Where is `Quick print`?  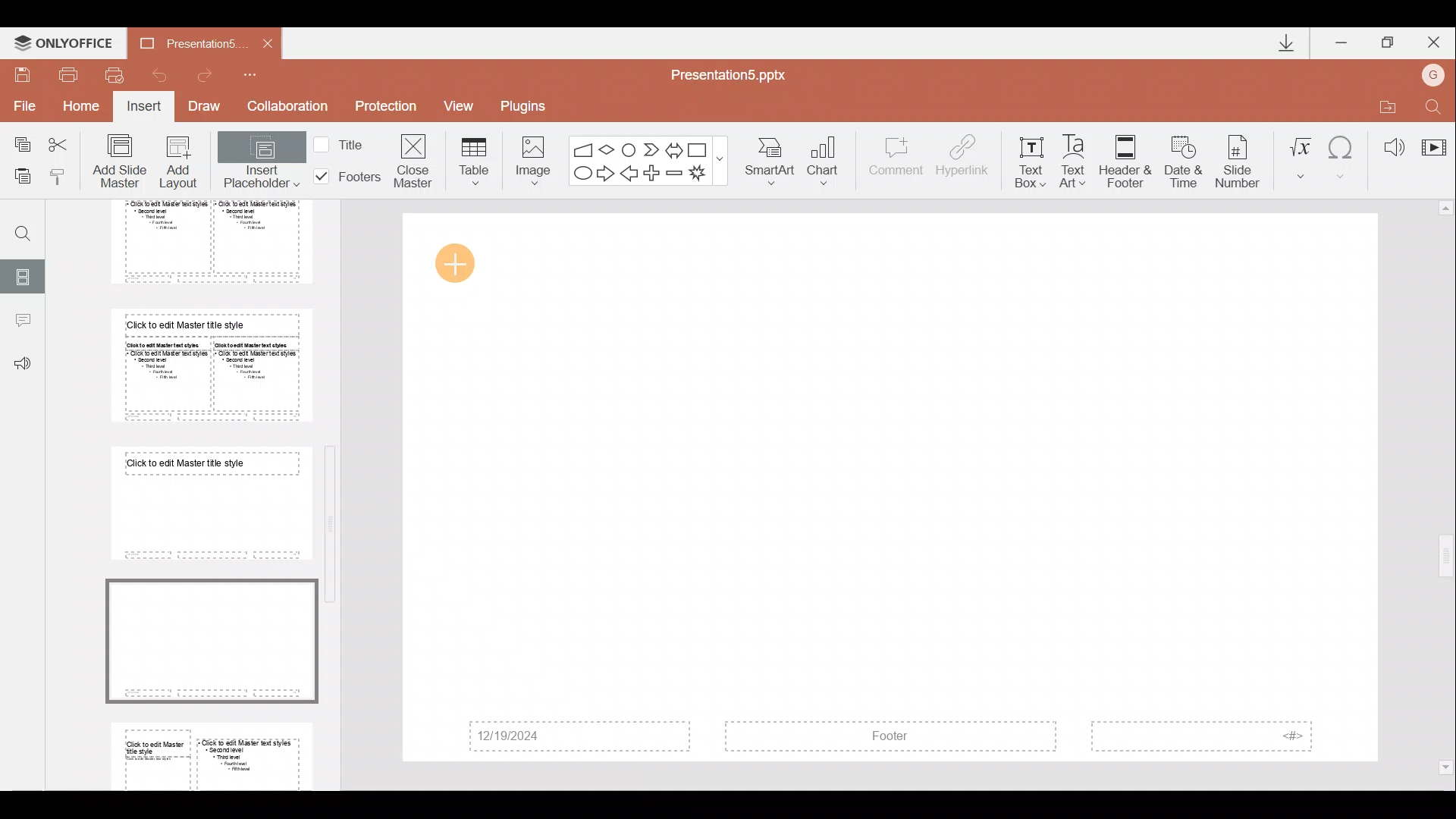
Quick print is located at coordinates (114, 76).